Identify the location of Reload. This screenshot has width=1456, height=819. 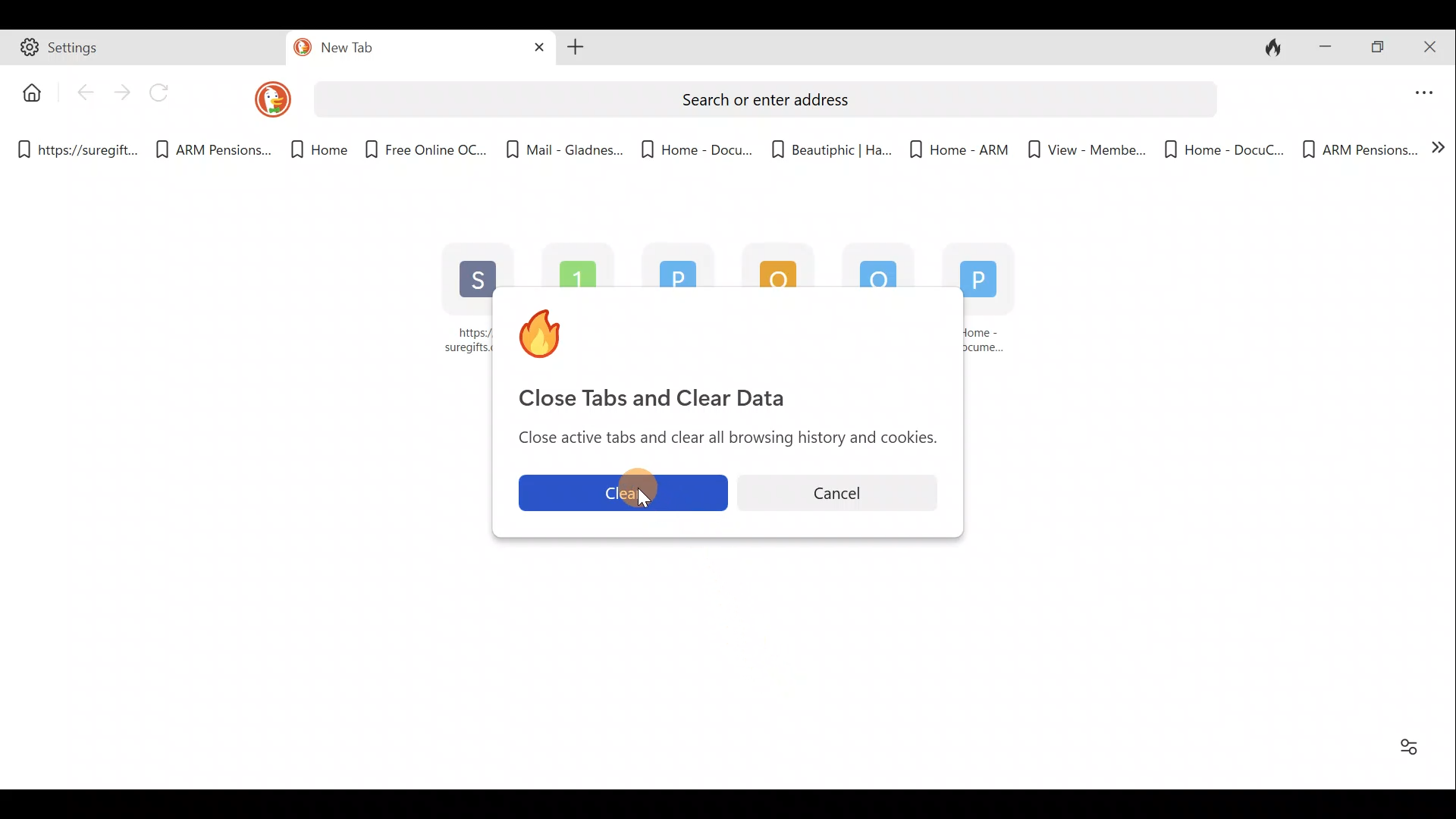
(166, 93).